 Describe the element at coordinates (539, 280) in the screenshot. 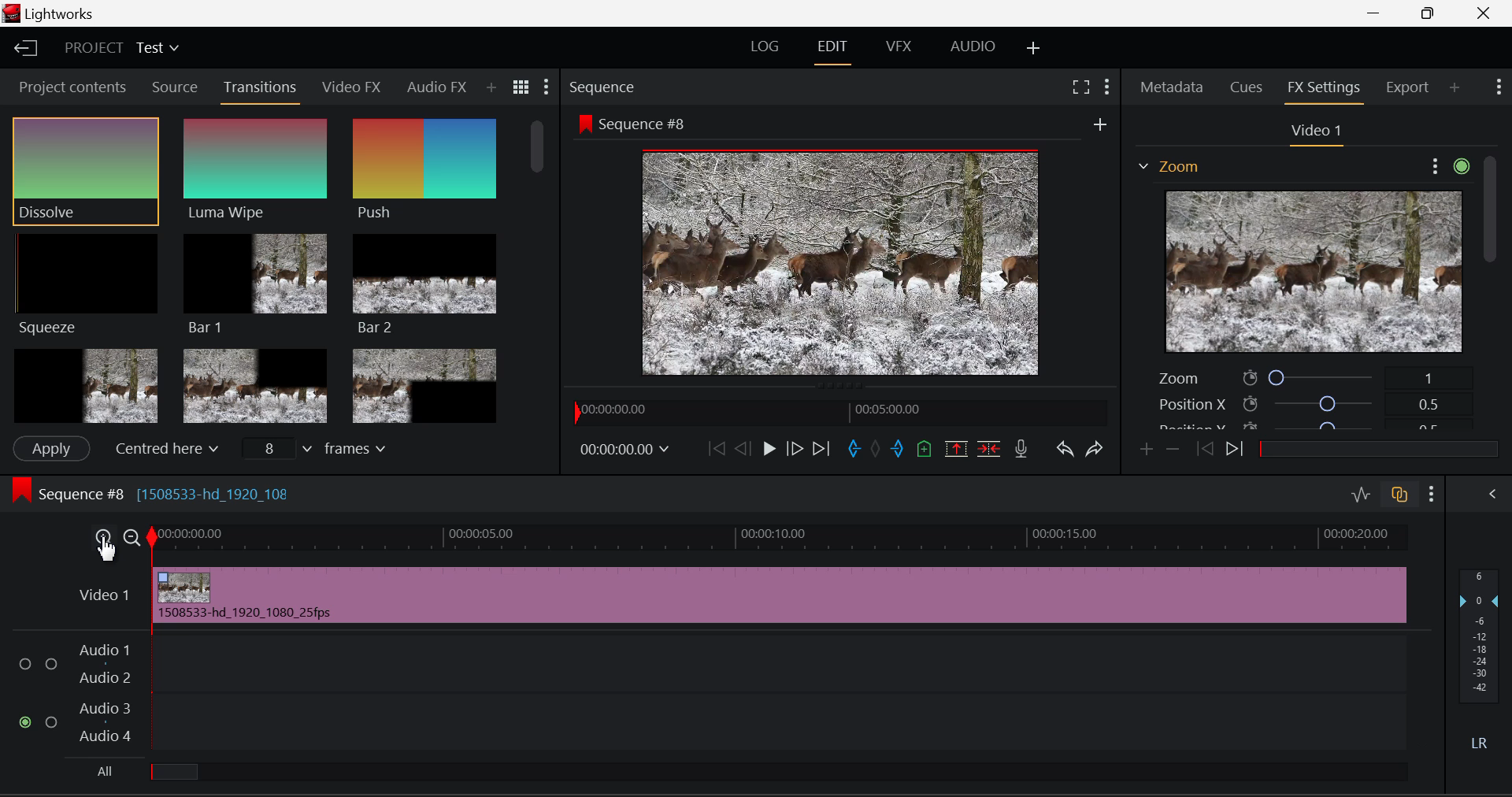

I see `Scroll Bar` at that location.